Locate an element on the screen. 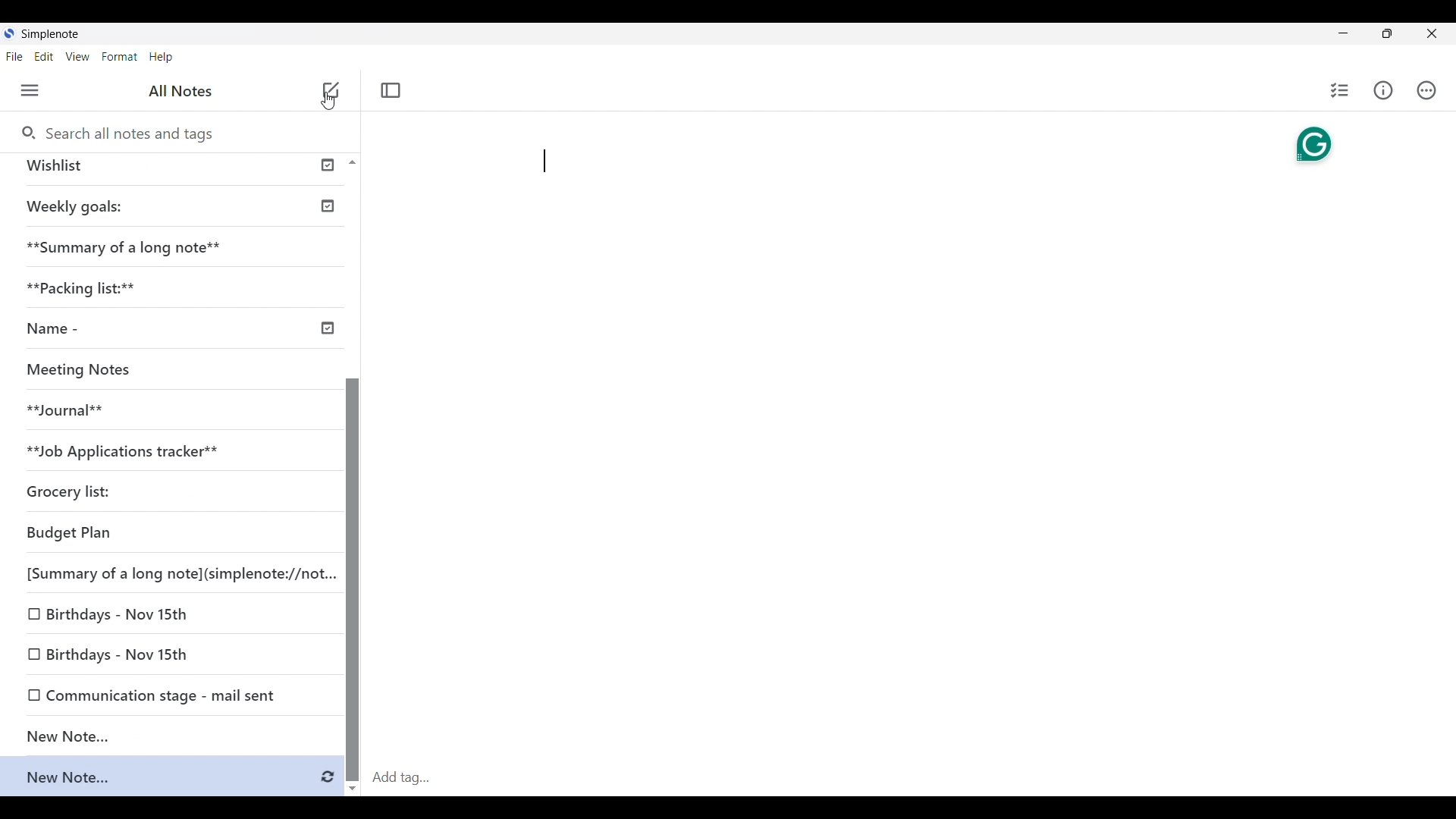 This screenshot has width=1456, height=819. Quick slide to top is located at coordinates (352, 162).